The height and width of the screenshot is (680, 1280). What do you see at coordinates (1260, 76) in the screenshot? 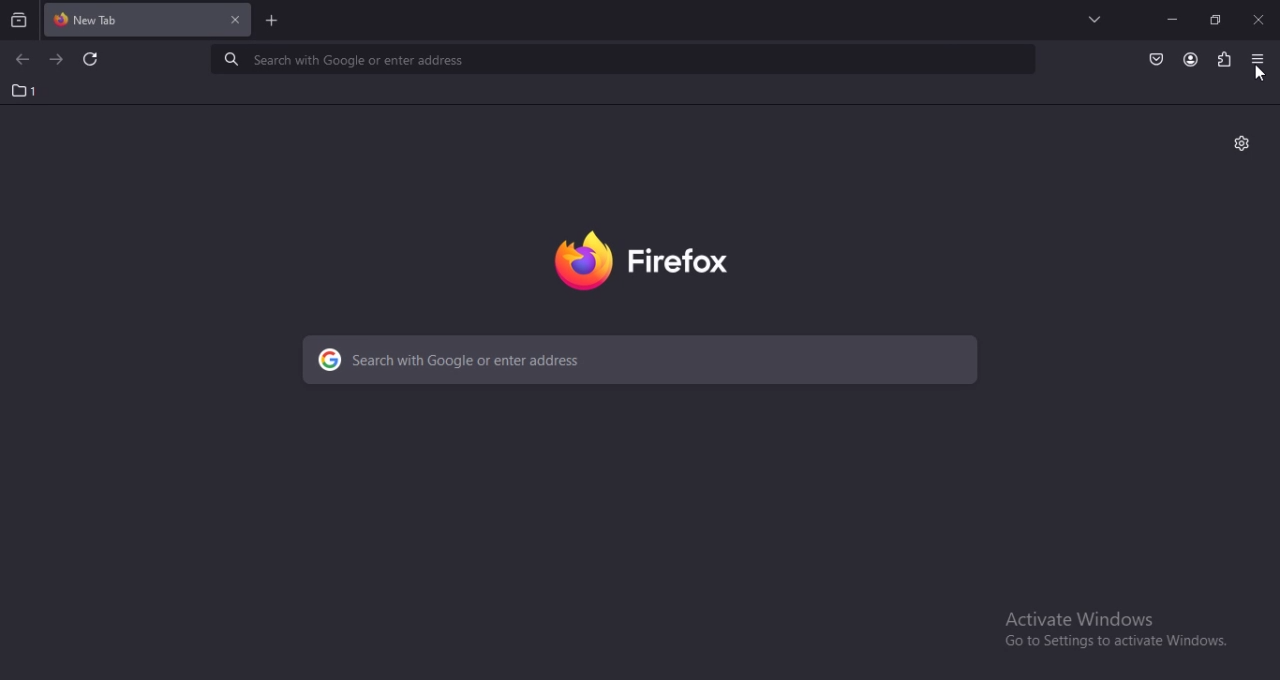
I see `cursor` at bounding box center [1260, 76].